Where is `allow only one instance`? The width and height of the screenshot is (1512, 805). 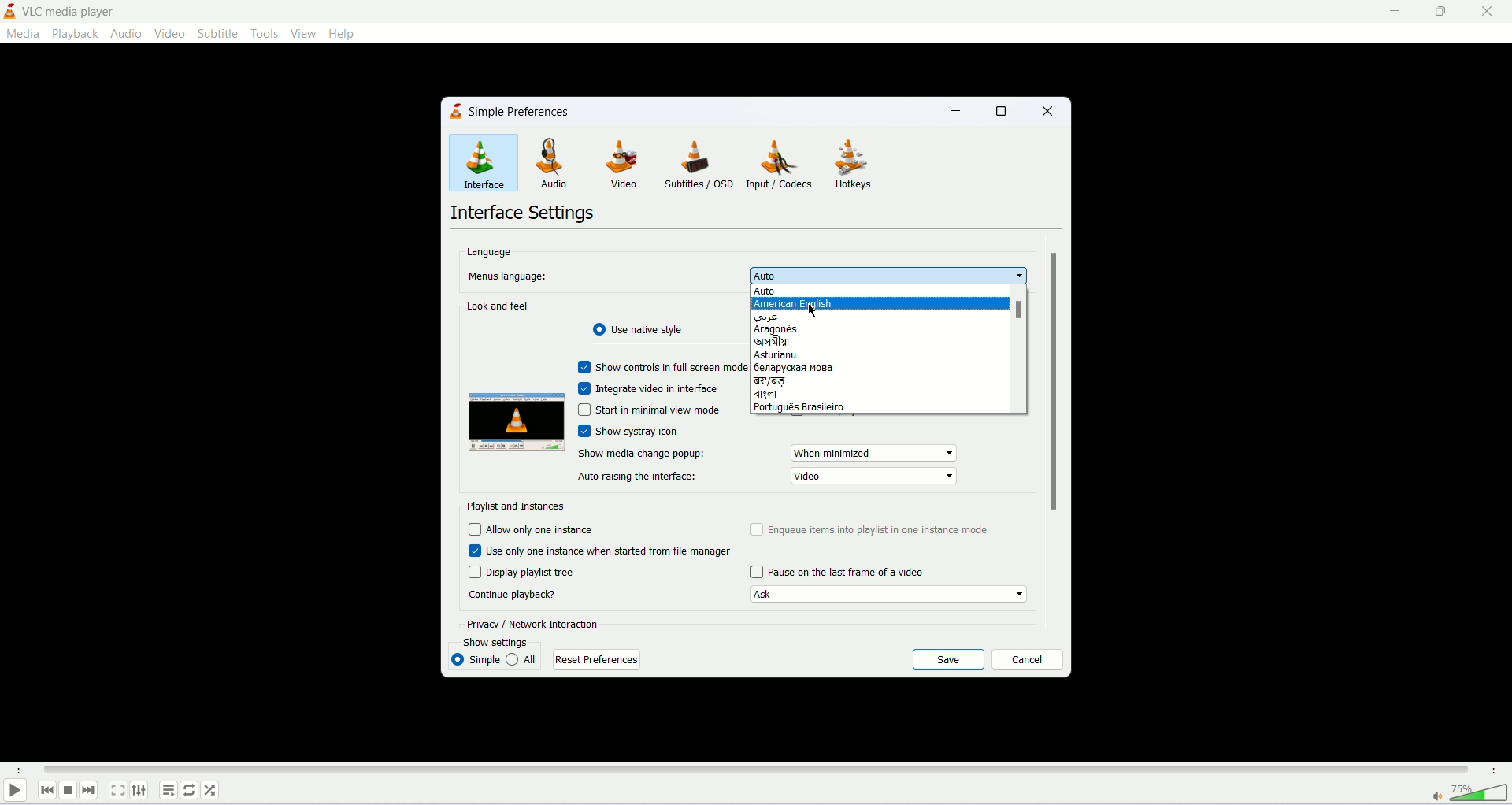 allow only one instance is located at coordinates (532, 529).